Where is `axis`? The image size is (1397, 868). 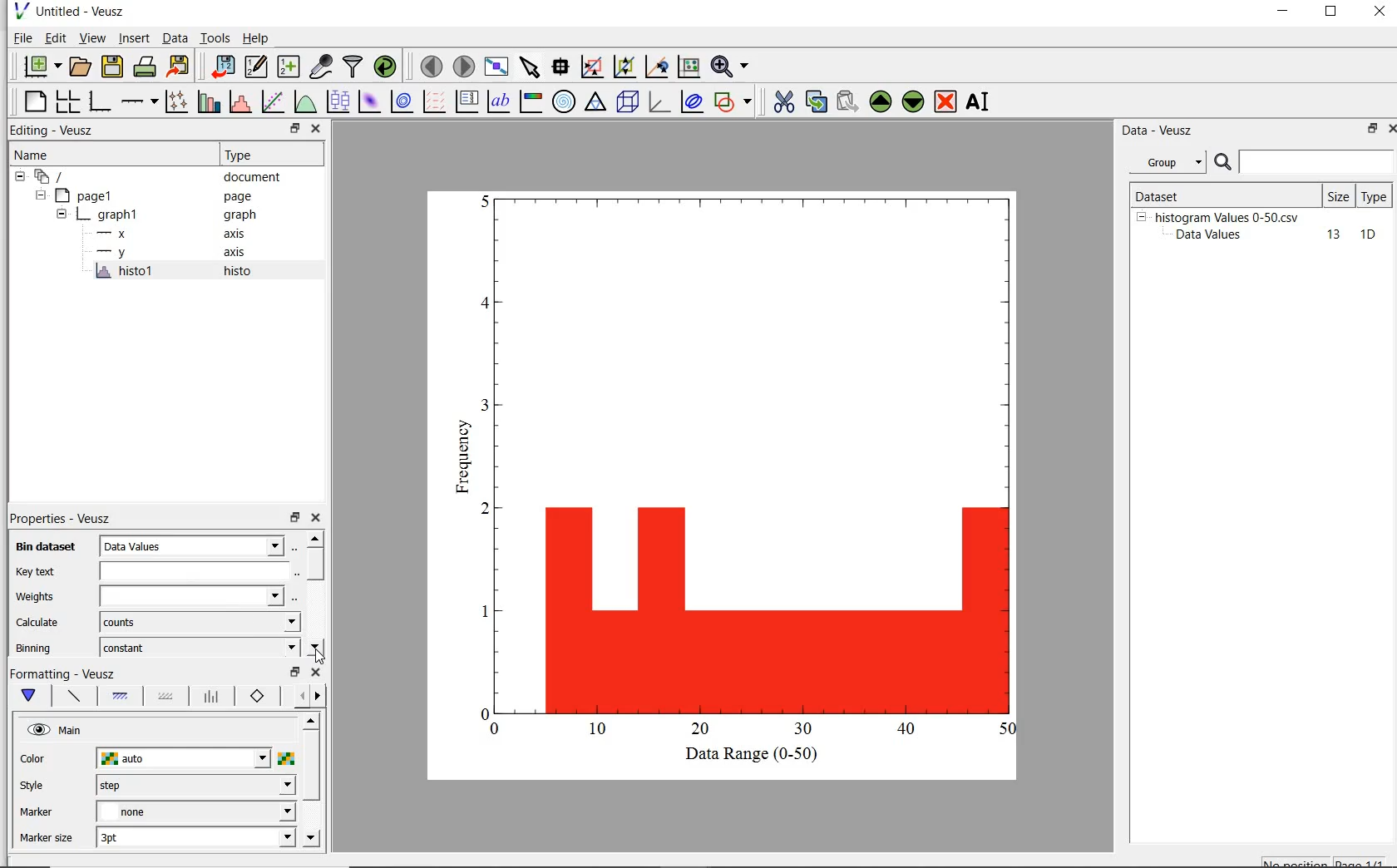 axis is located at coordinates (239, 254).